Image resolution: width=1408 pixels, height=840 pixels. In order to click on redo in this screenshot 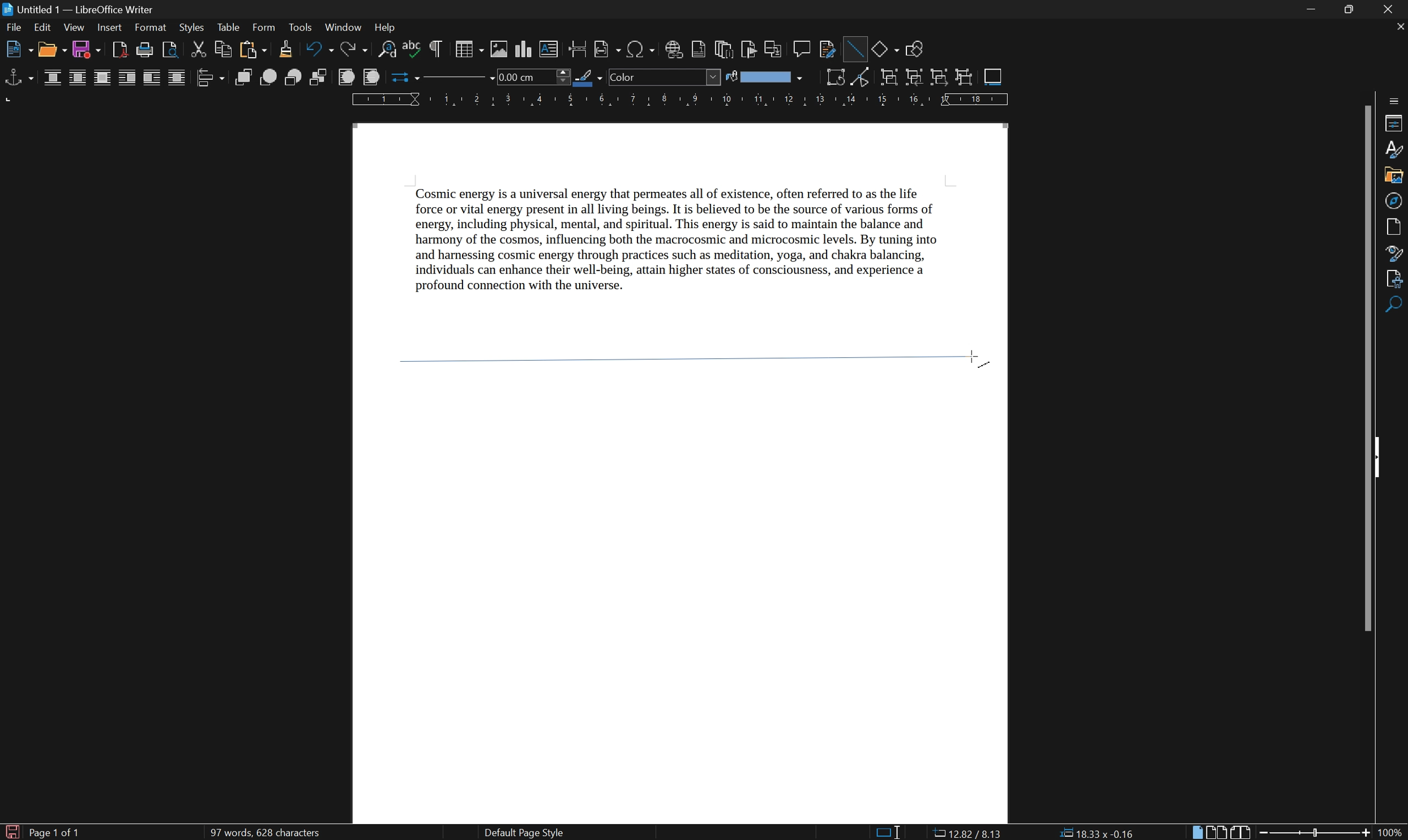, I will do `click(357, 50)`.